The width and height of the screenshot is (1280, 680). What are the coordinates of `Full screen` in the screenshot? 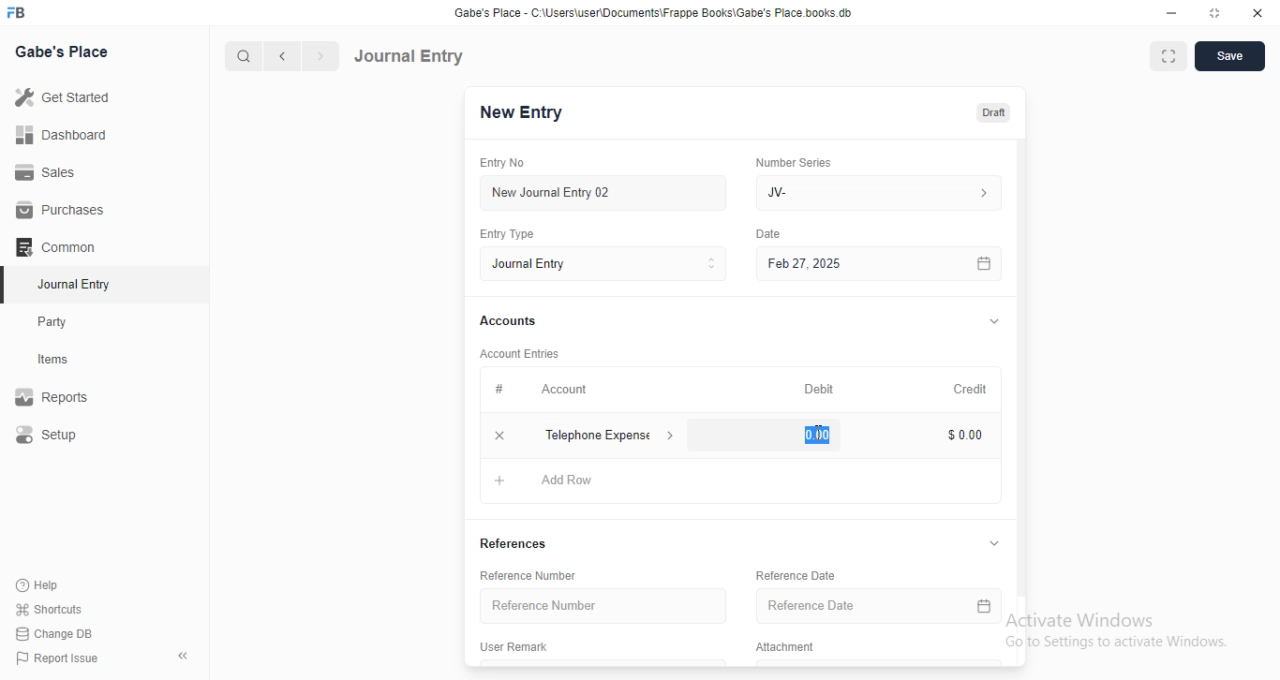 It's located at (1216, 13).